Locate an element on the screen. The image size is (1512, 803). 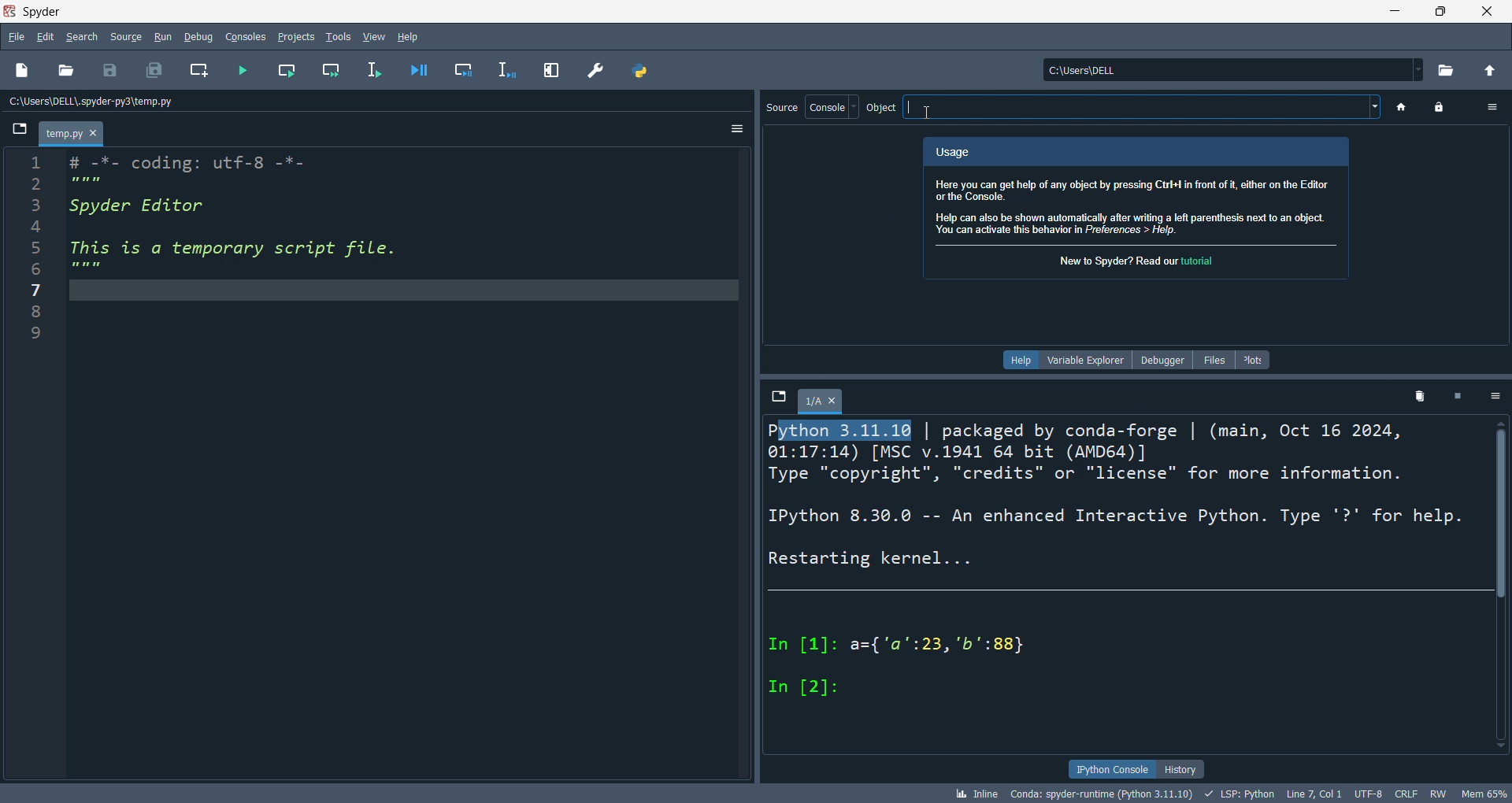
1/A tab is located at coordinates (821, 400).